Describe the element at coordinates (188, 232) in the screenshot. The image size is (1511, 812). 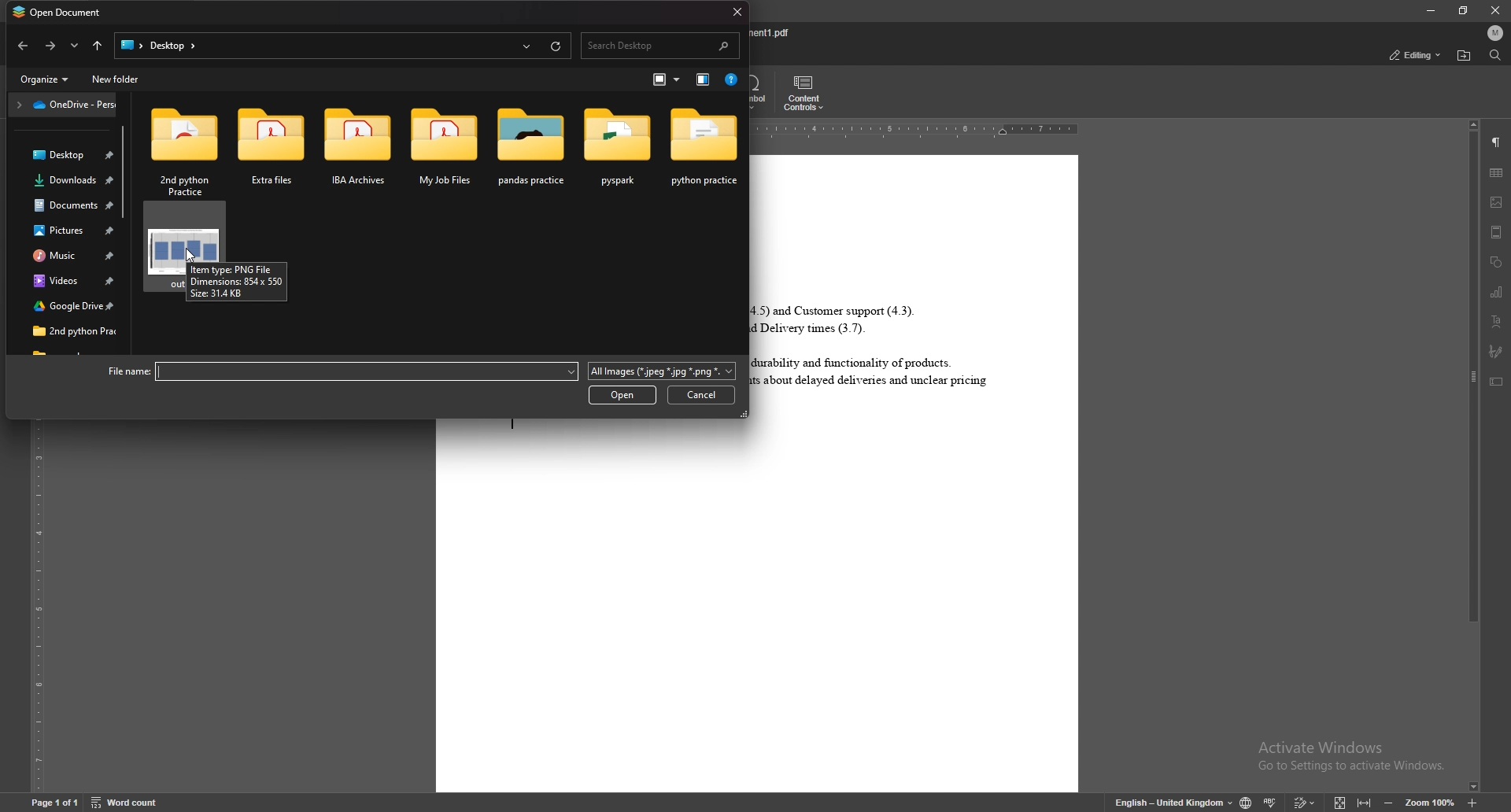
I see `image` at that location.